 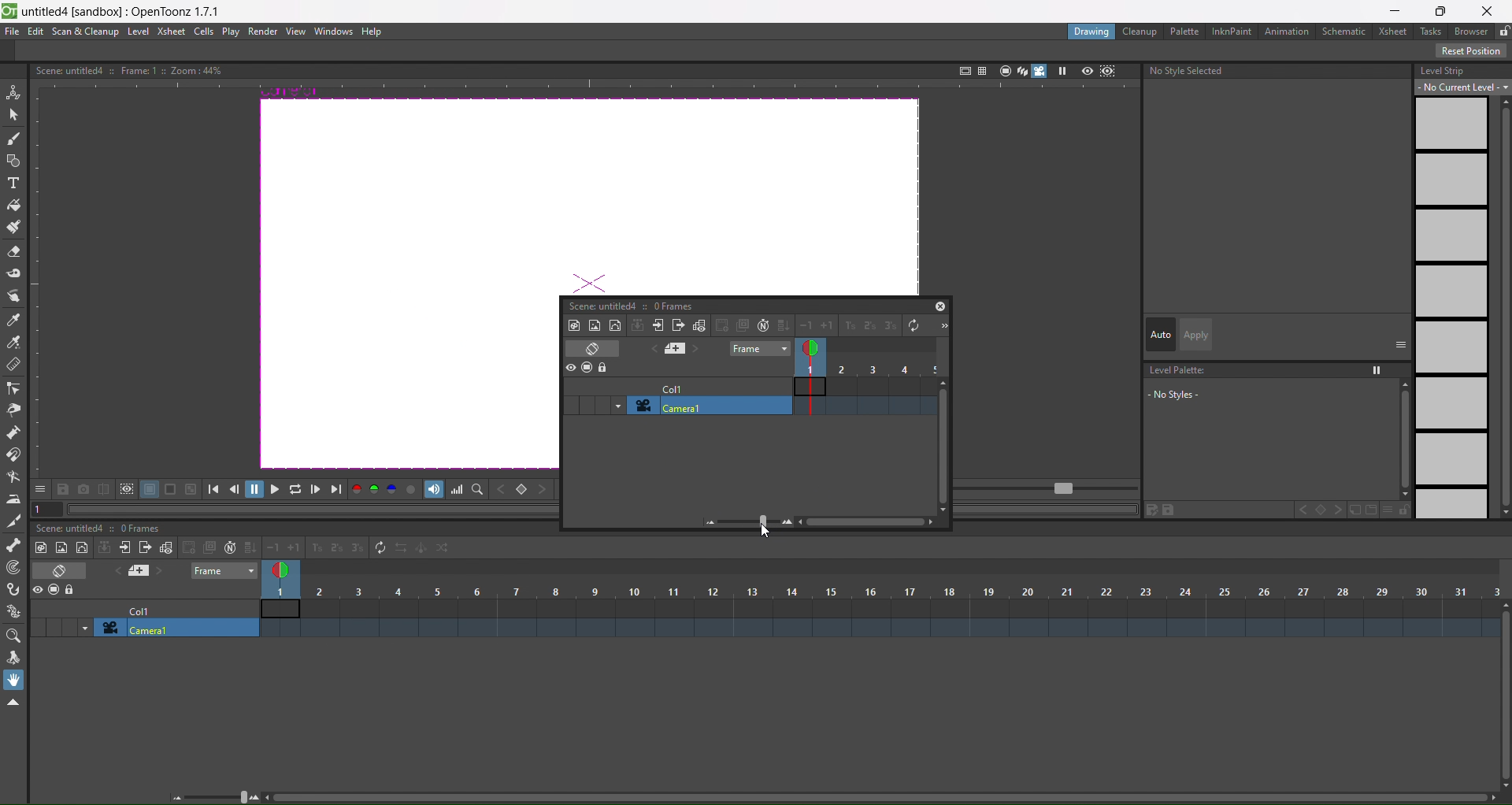 I want to click on edit, so click(x=35, y=32).